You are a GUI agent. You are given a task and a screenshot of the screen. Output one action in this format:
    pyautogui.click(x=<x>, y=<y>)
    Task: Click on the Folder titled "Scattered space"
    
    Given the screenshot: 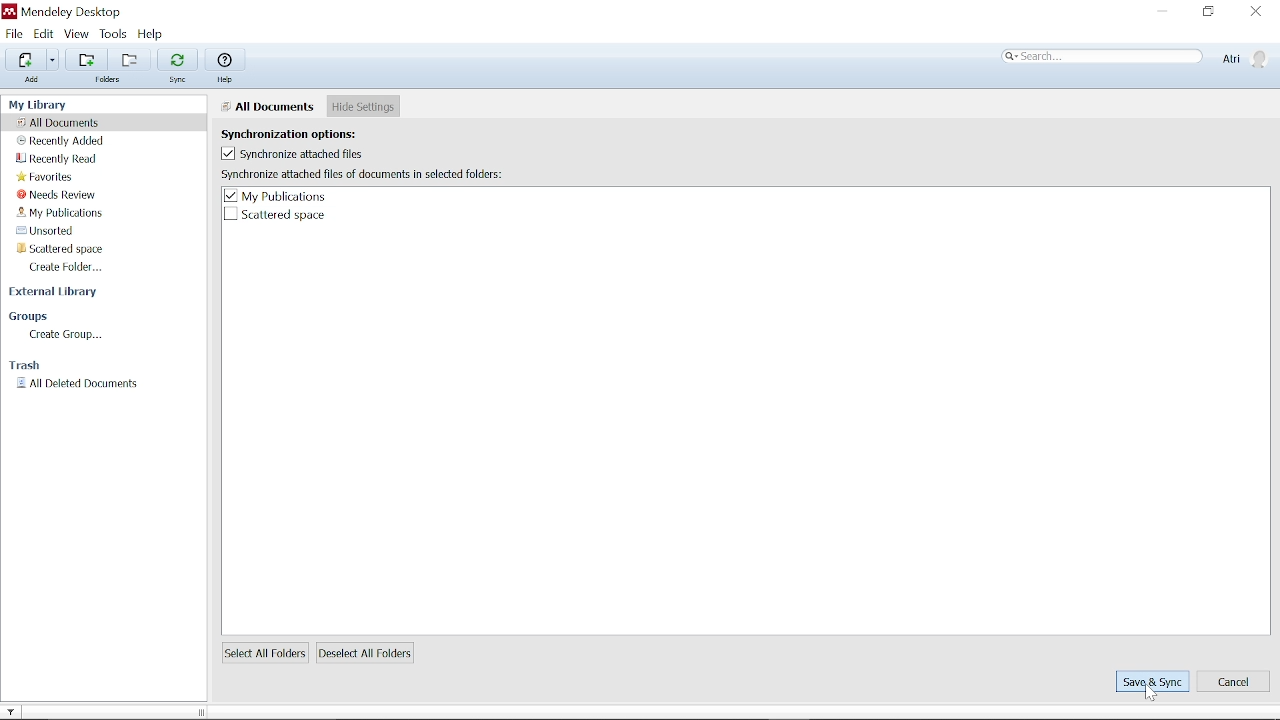 What is the action you would take?
    pyautogui.click(x=71, y=250)
    